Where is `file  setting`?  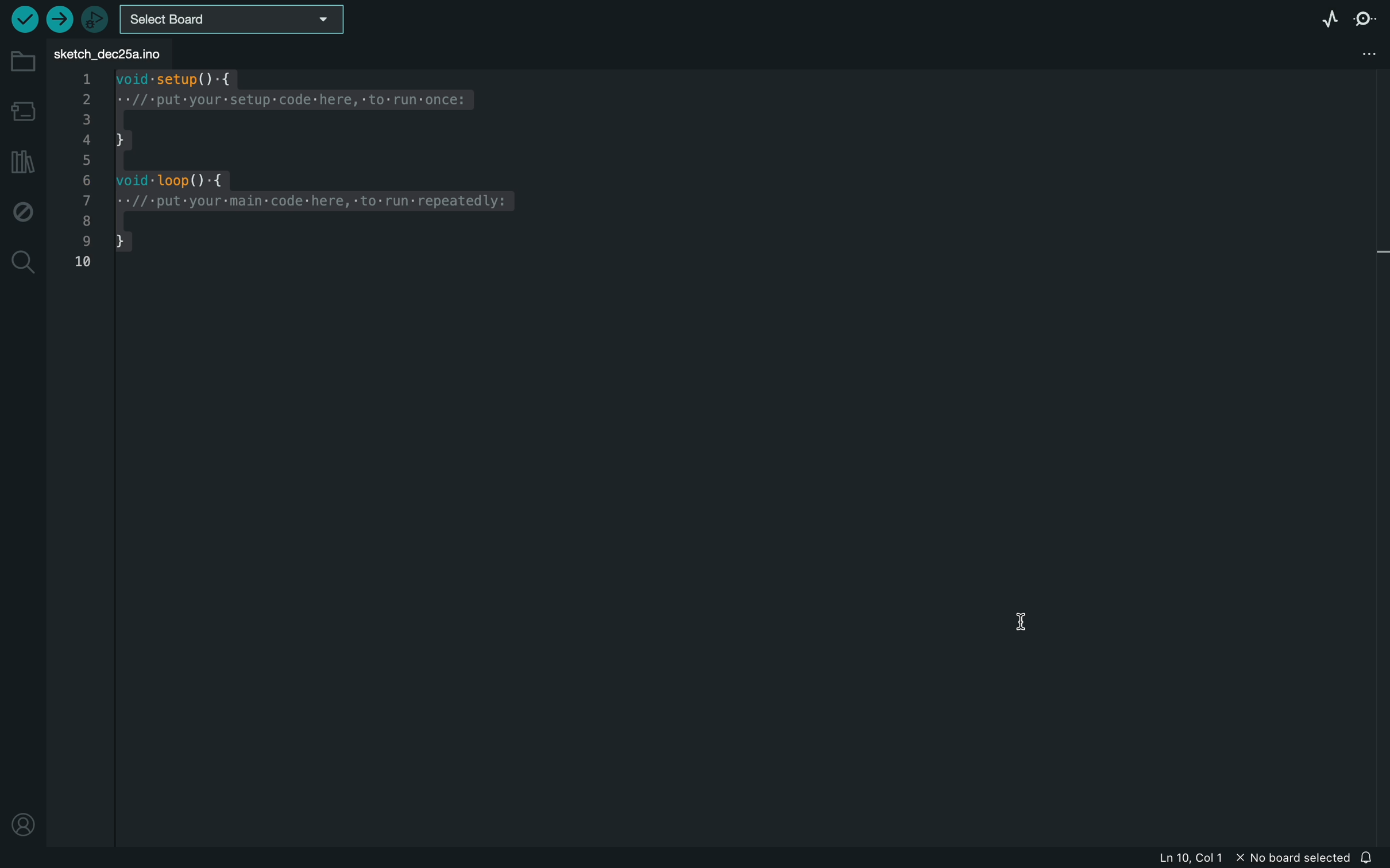 file  setting is located at coordinates (1347, 52).